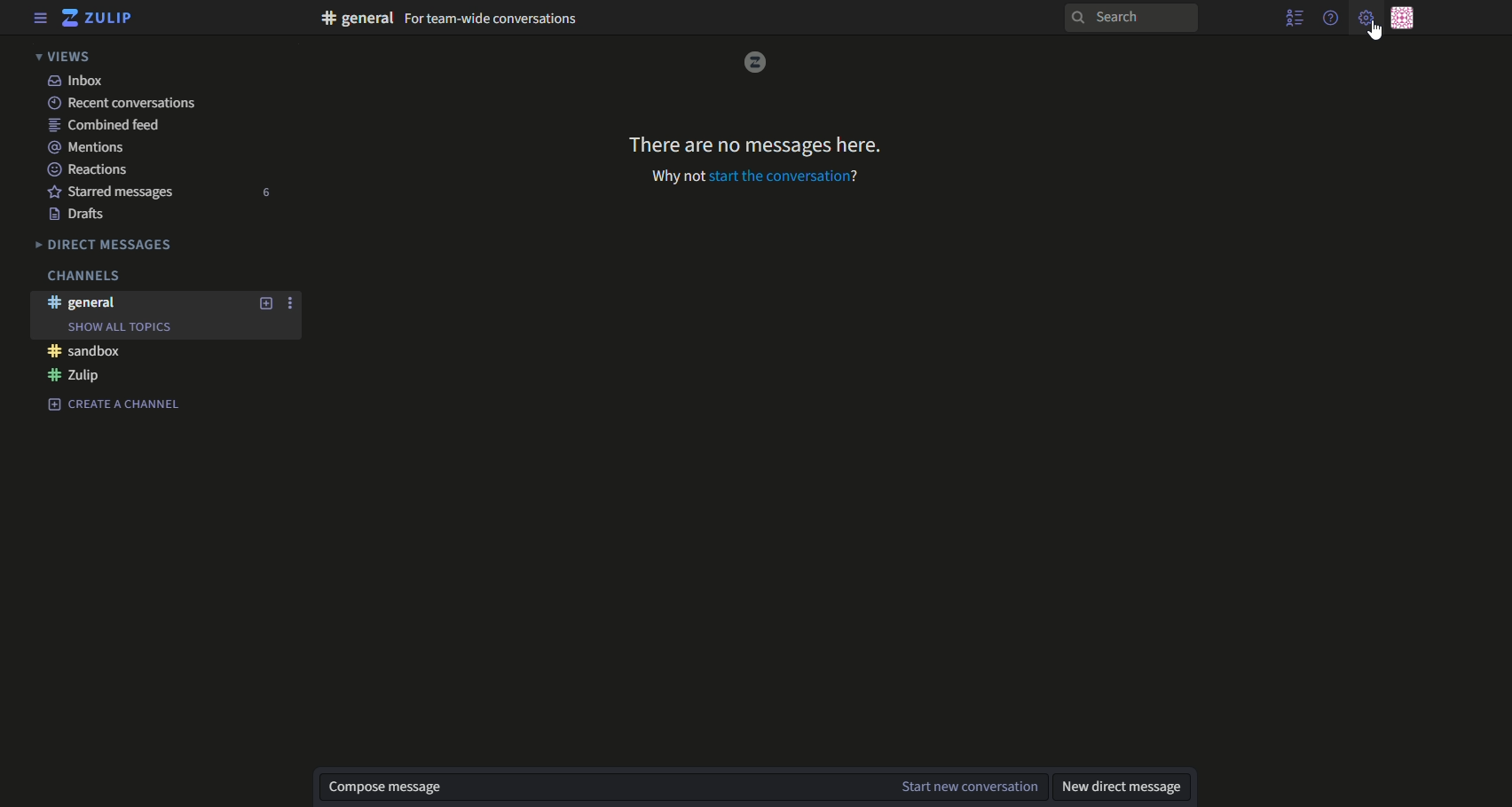  Describe the element at coordinates (758, 142) in the screenshot. I see `text` at that location.